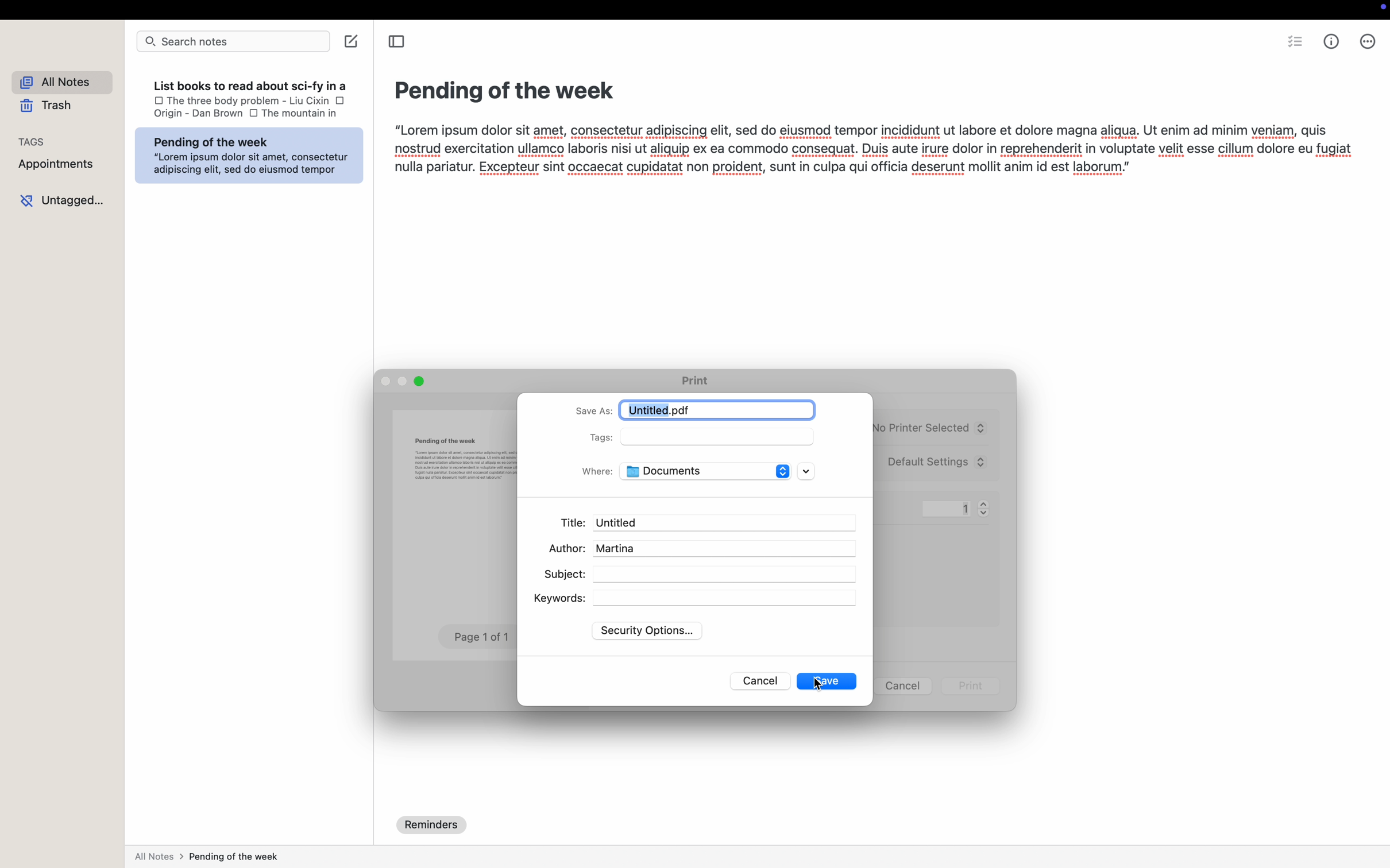  Describe the element at coordinates (312, 113) in the screenshot. I see `the mountyain in` at that location.